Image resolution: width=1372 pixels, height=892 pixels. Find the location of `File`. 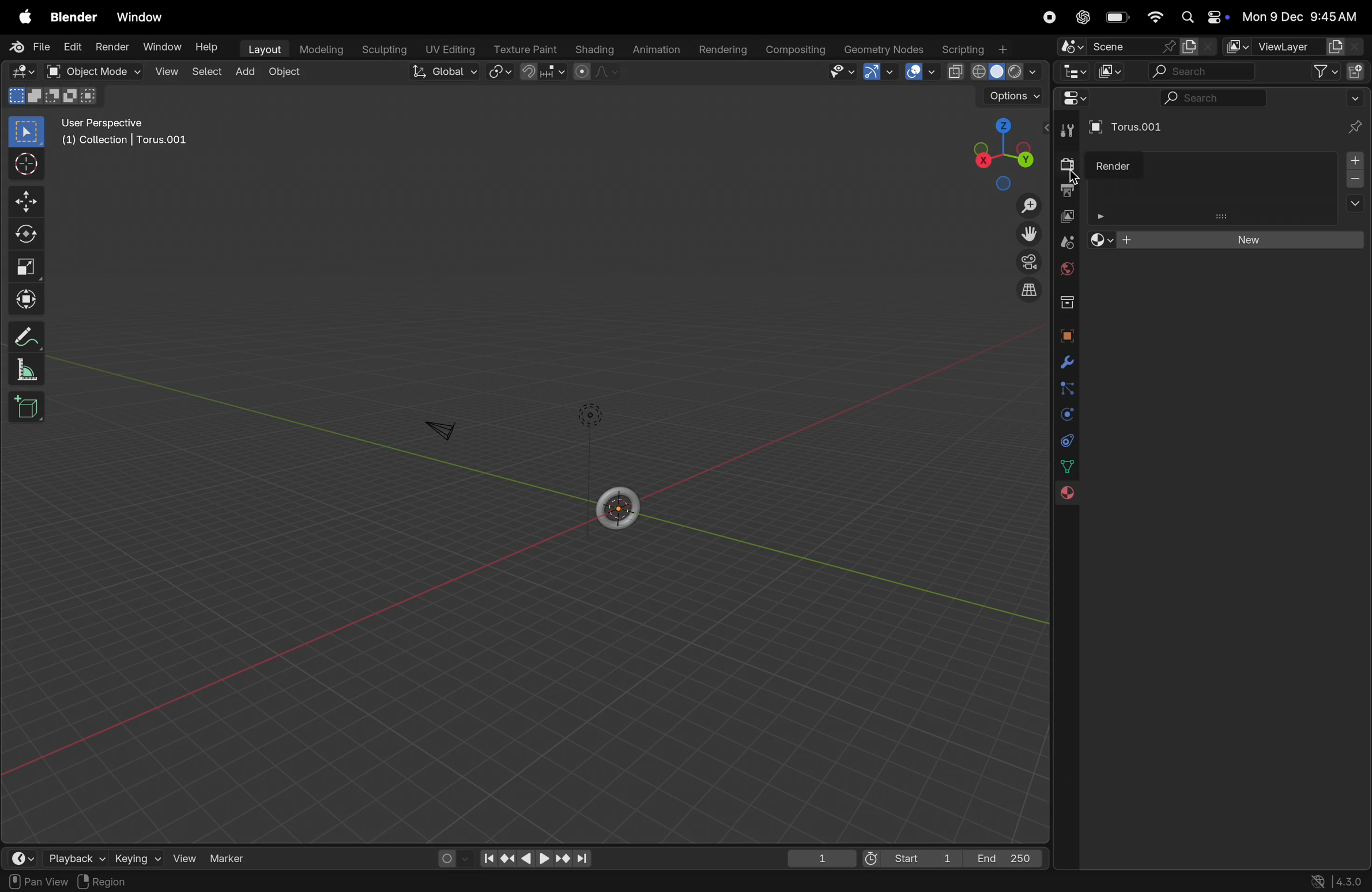

File is located at coordinates (28, 47).